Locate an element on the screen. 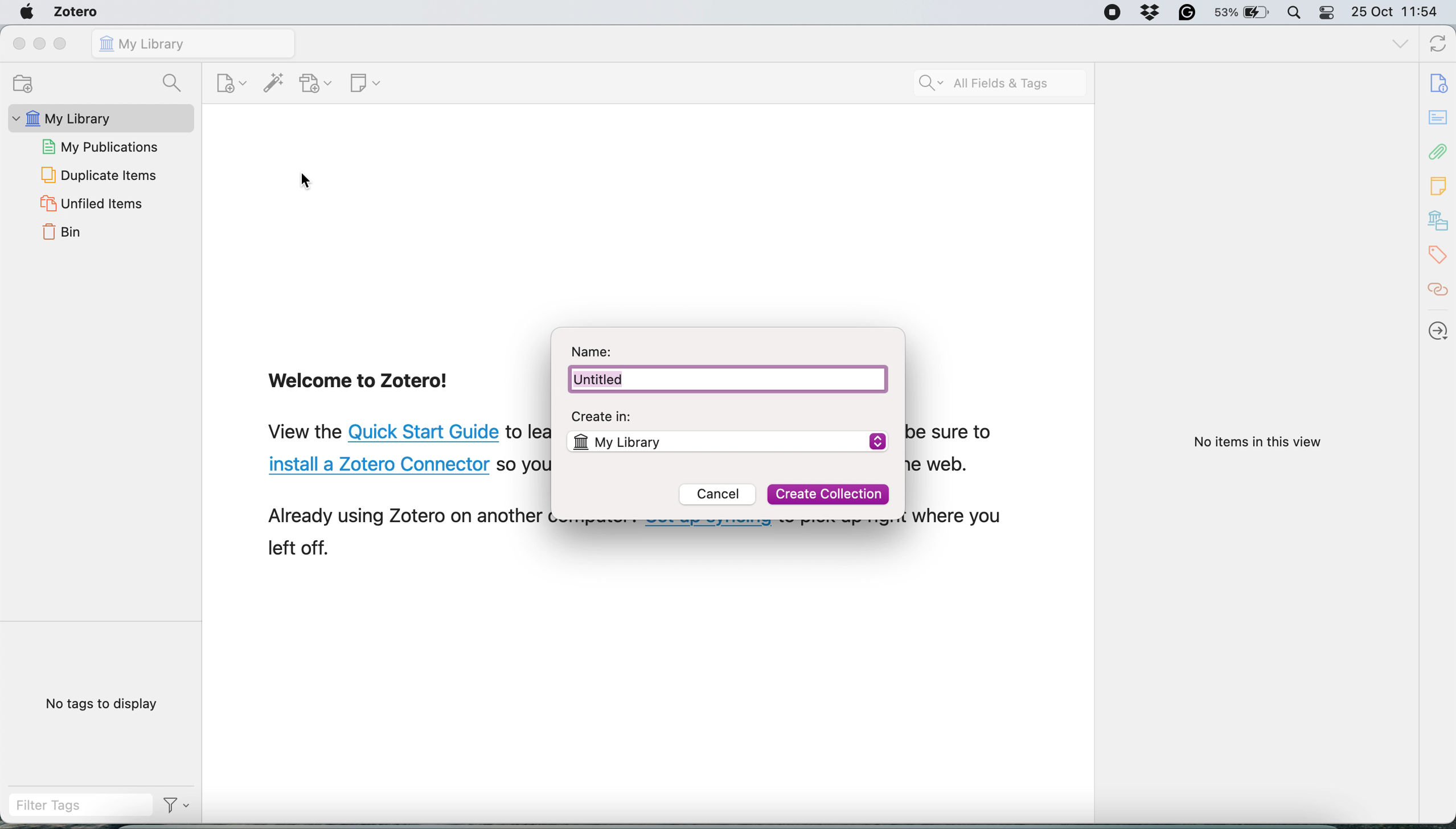 The height and width of the screenshot is (829, 1456). Cursor Position is located at coordinates (306, 182).